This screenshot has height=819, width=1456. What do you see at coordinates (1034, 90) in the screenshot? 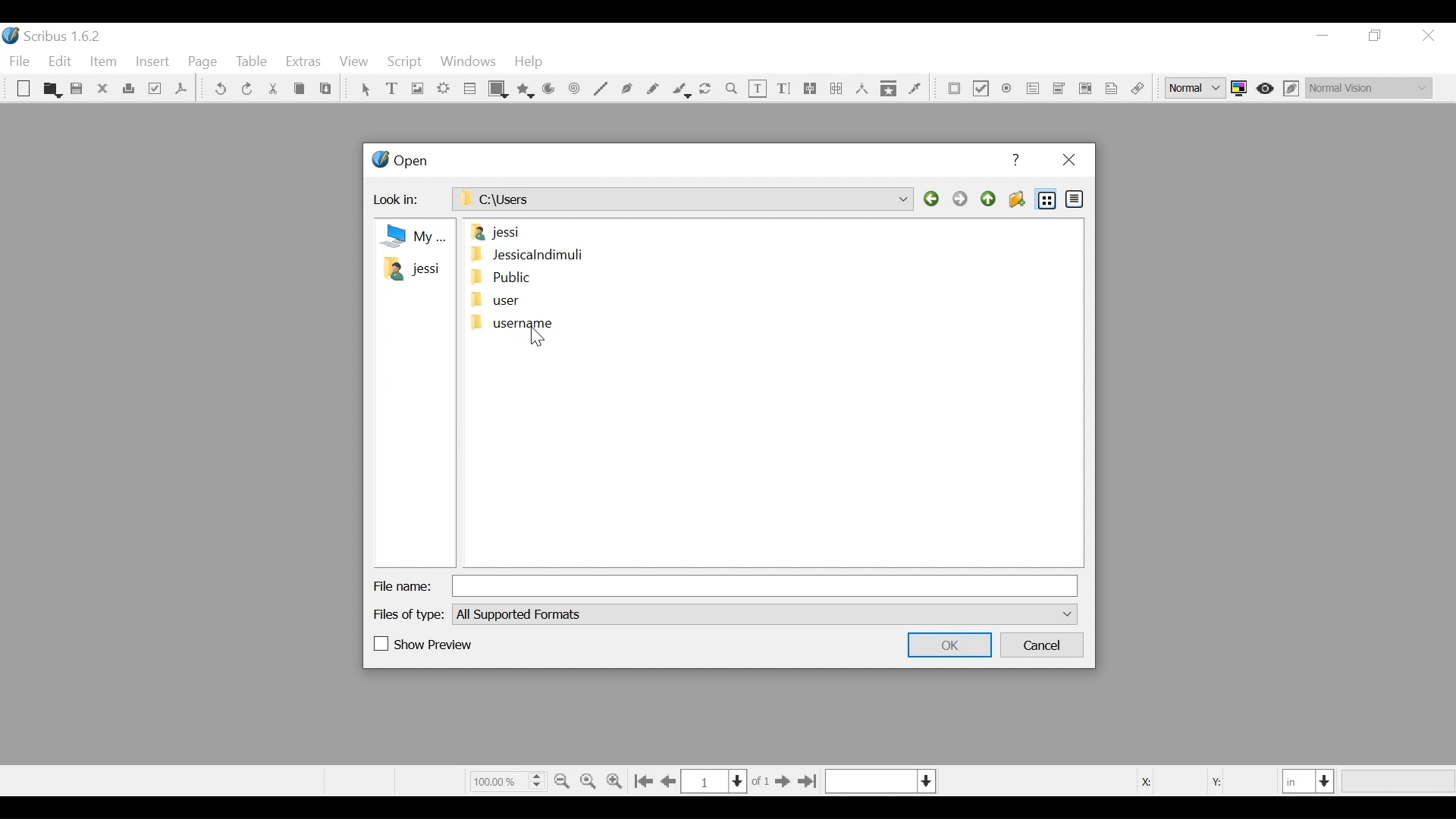
I see `PDF Combo Box` at bounding box center [1034, 90].